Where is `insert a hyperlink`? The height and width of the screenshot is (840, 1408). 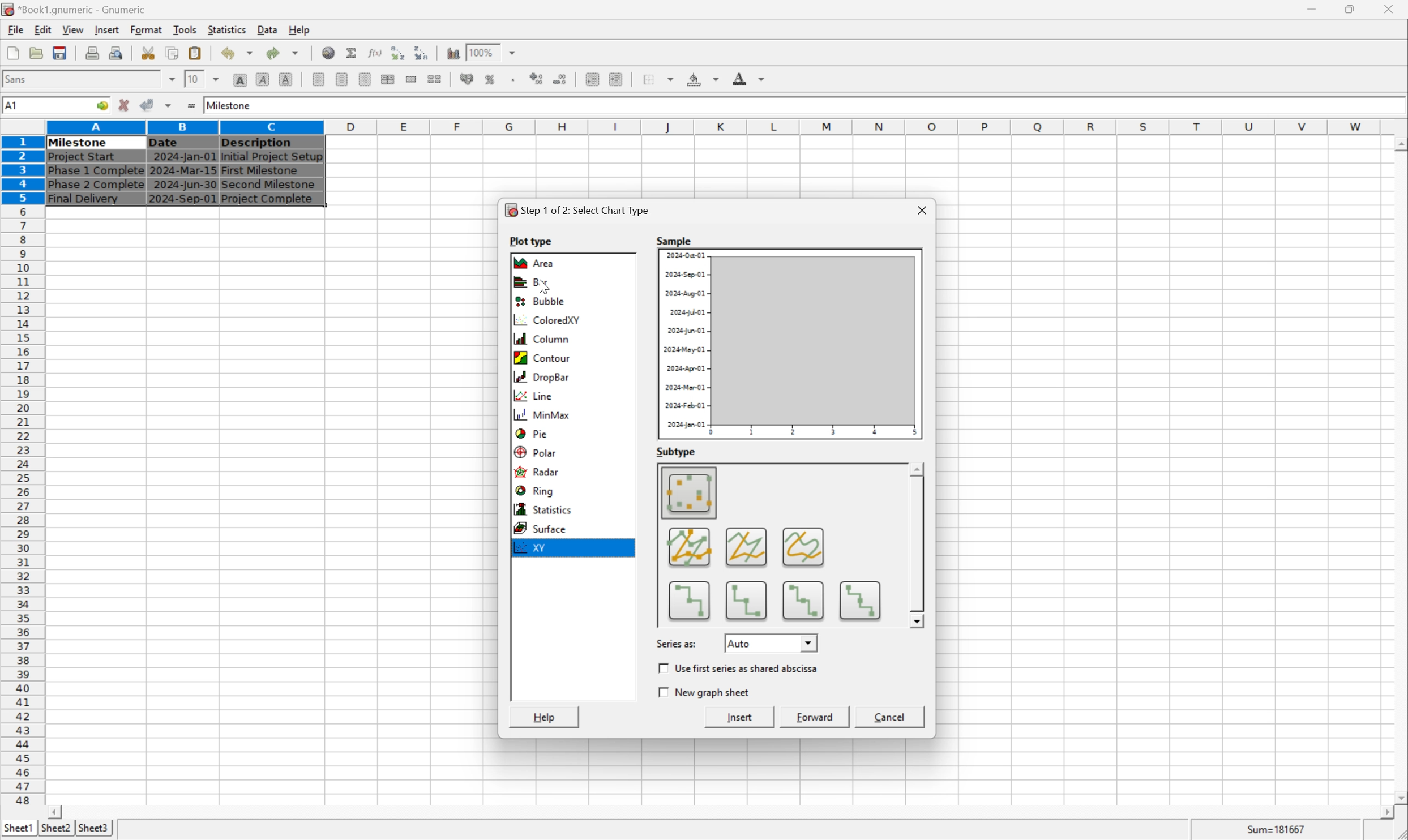 insert a hyperlink is located at coordinates (329, 53).